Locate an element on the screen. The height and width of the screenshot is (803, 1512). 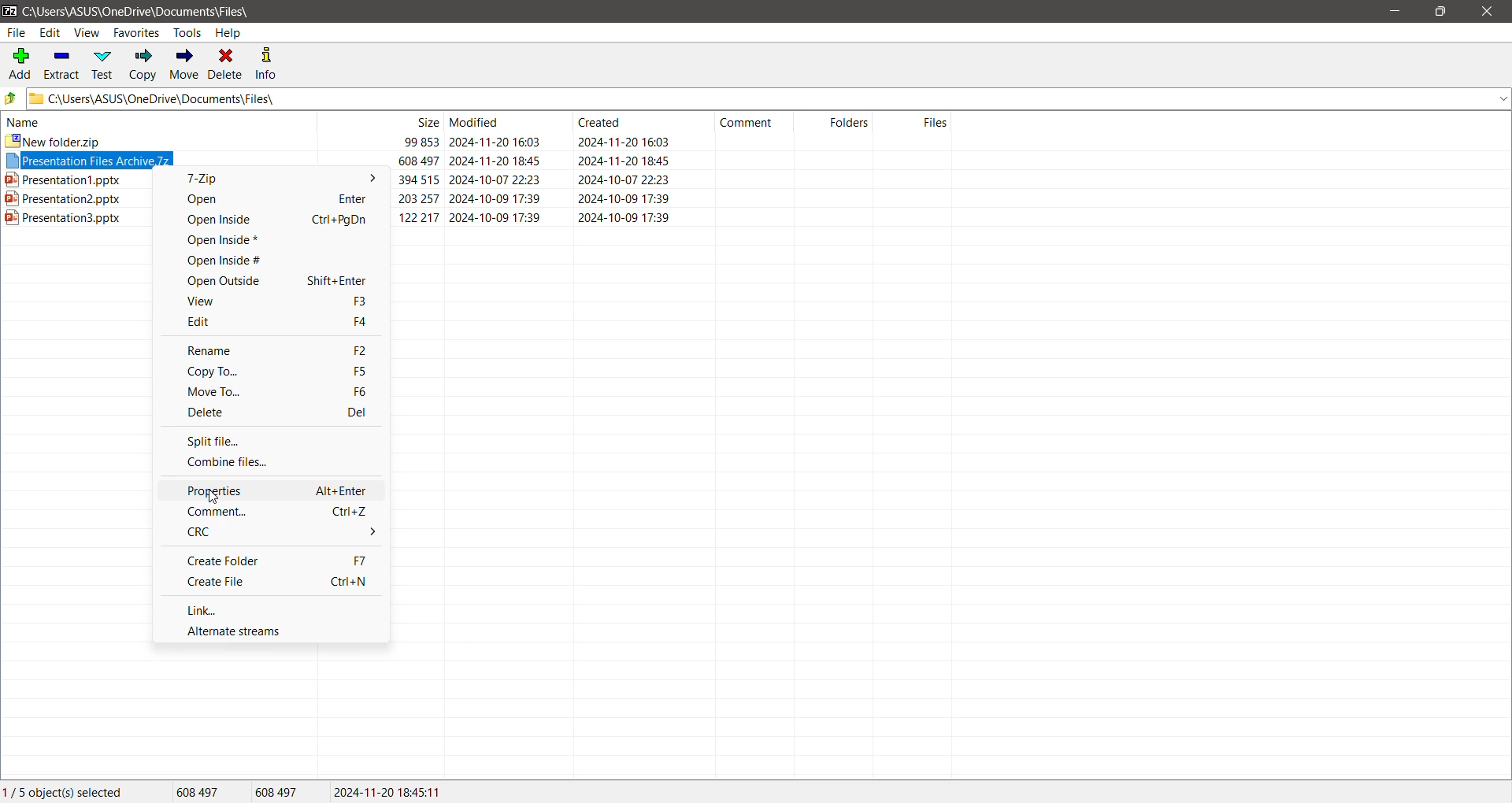
Shift+Enter is located at coordinates (332, 280).